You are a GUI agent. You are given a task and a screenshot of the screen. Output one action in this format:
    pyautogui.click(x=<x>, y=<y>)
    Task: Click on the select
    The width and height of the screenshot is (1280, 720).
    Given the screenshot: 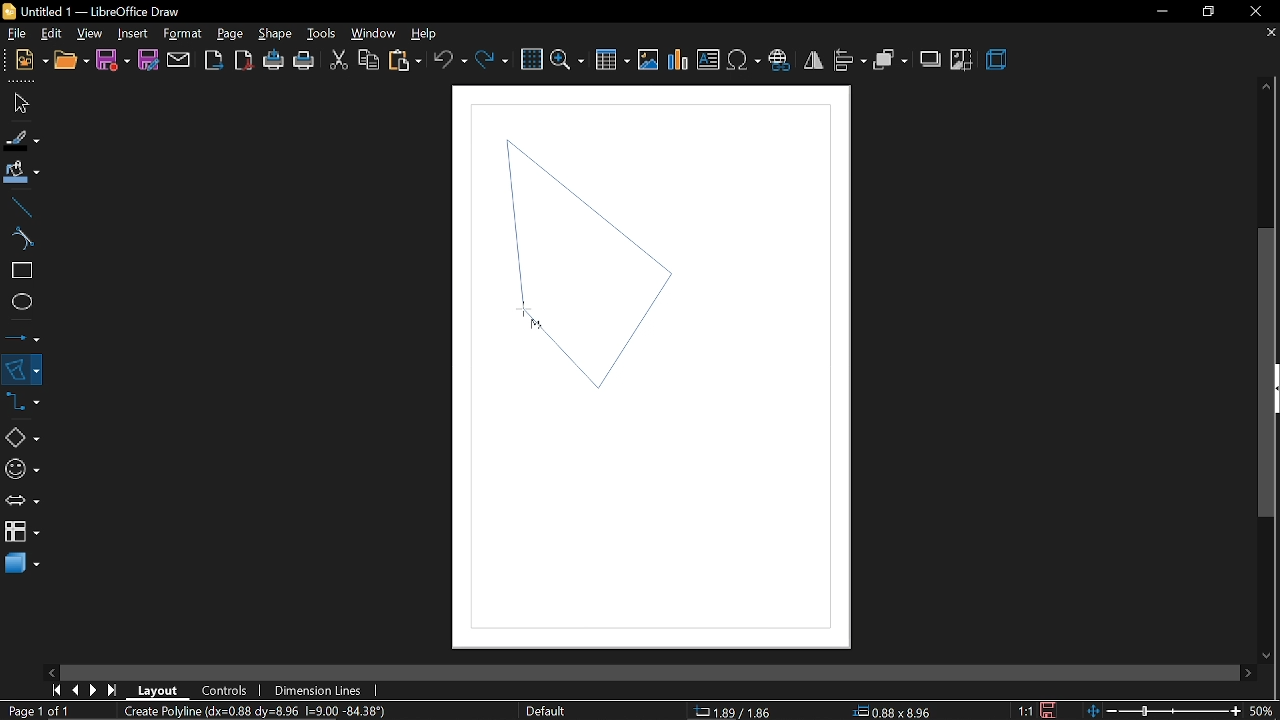 What is the action you would take?
    pyautogui.click(x=18, y=103)
    